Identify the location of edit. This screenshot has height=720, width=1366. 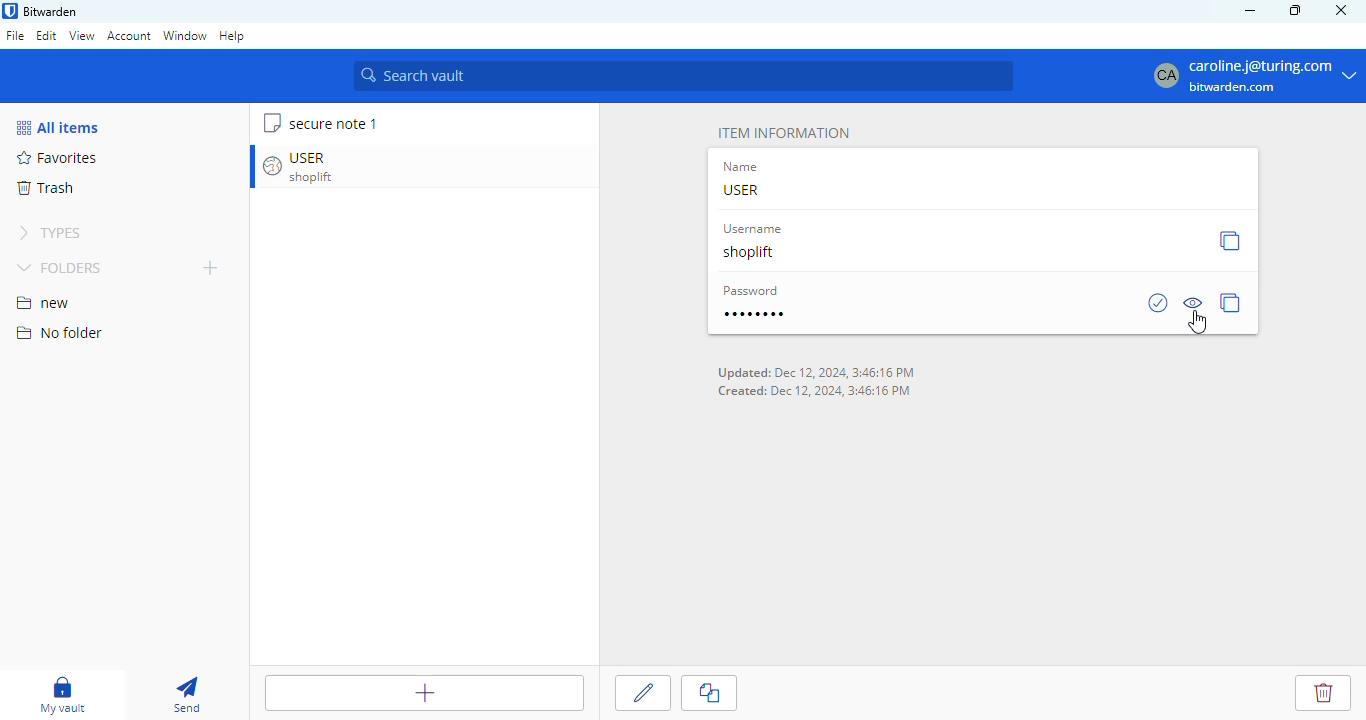
(46, 35).